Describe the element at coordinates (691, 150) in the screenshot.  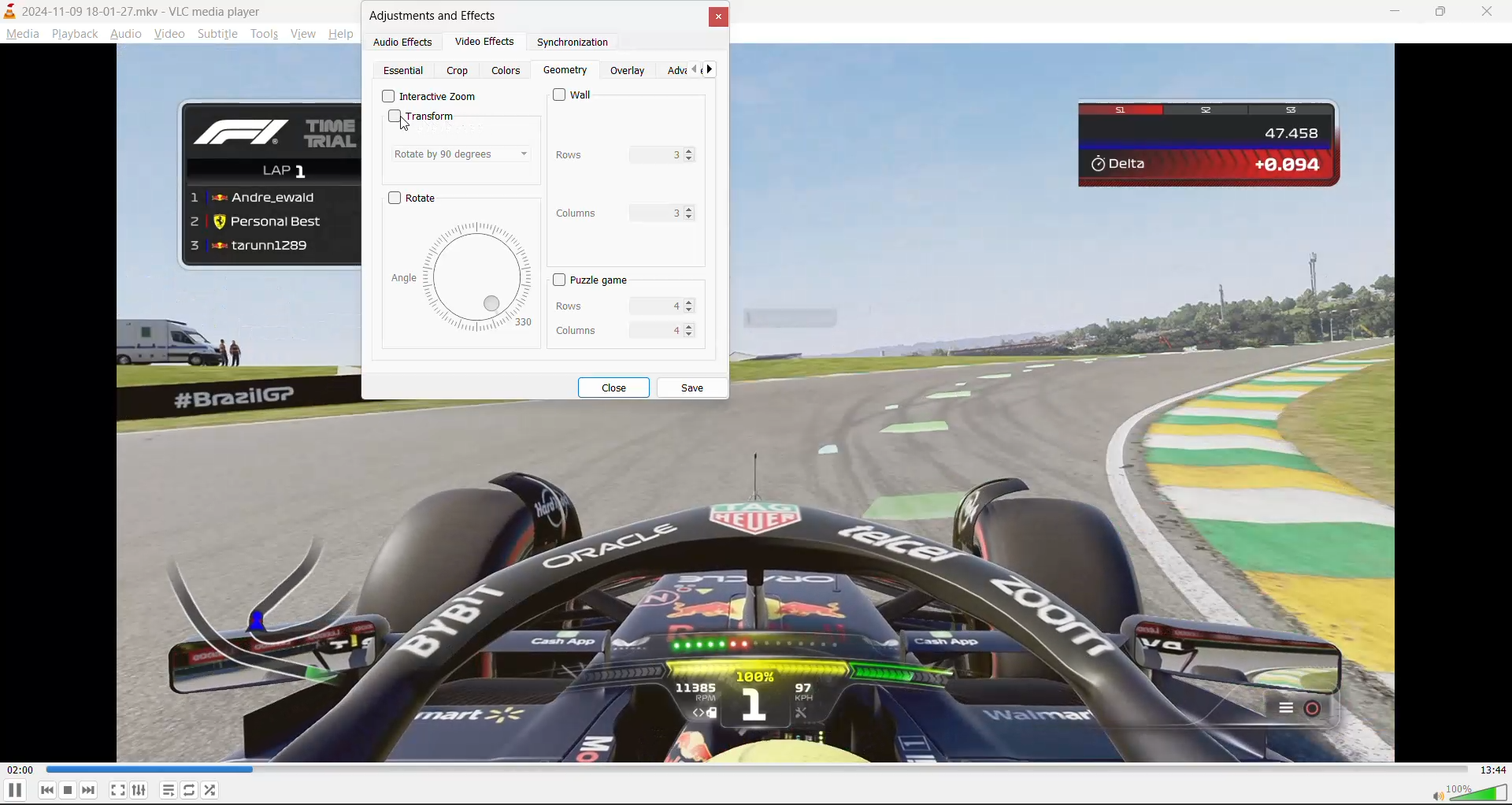
I see `Increase` at that location.